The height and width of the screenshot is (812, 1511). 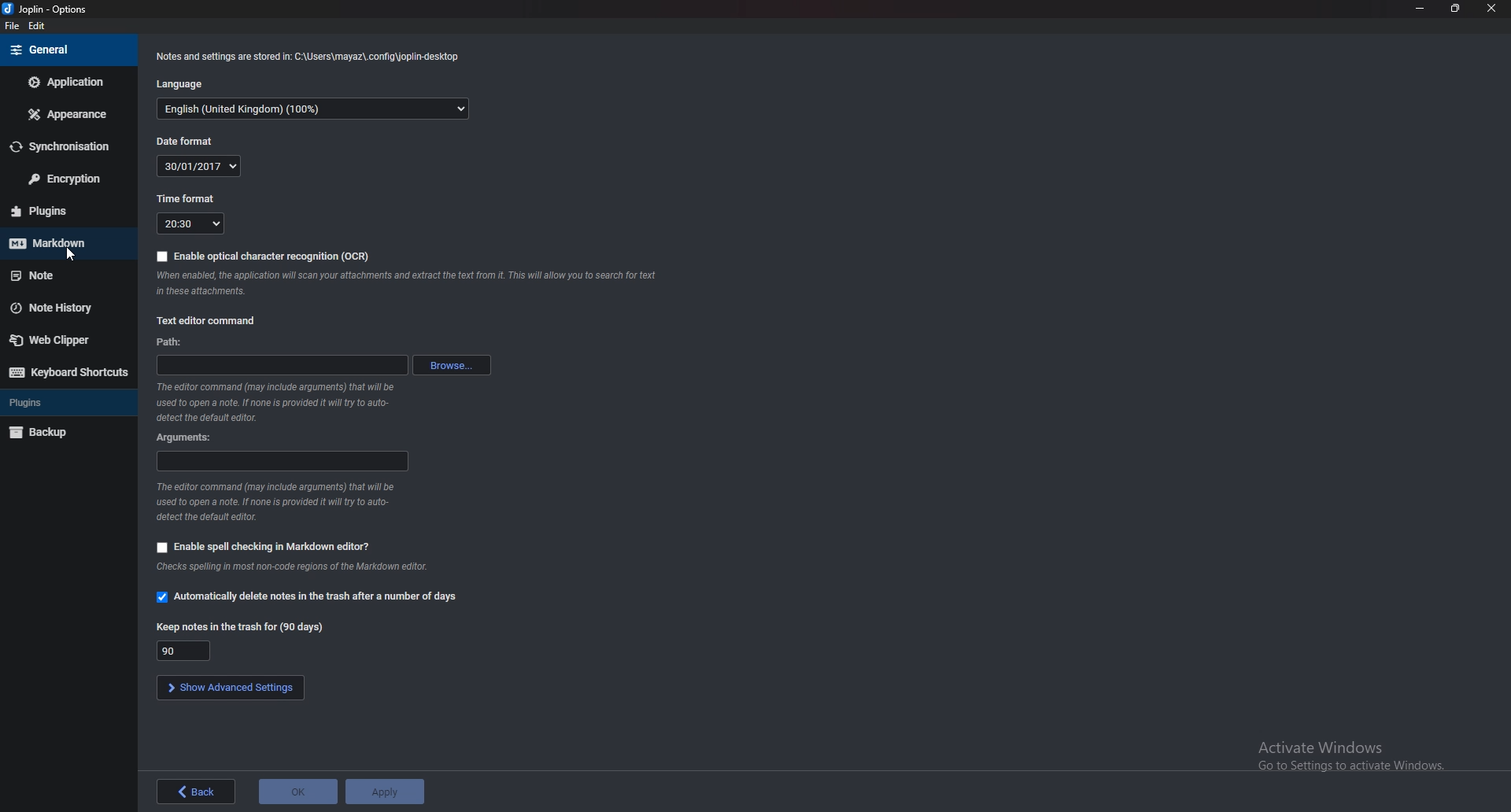 What do you see at coordinates (67, 374) in the screenshot?
I see `Keyboard shortcuts` at bounding box center [67, 374].